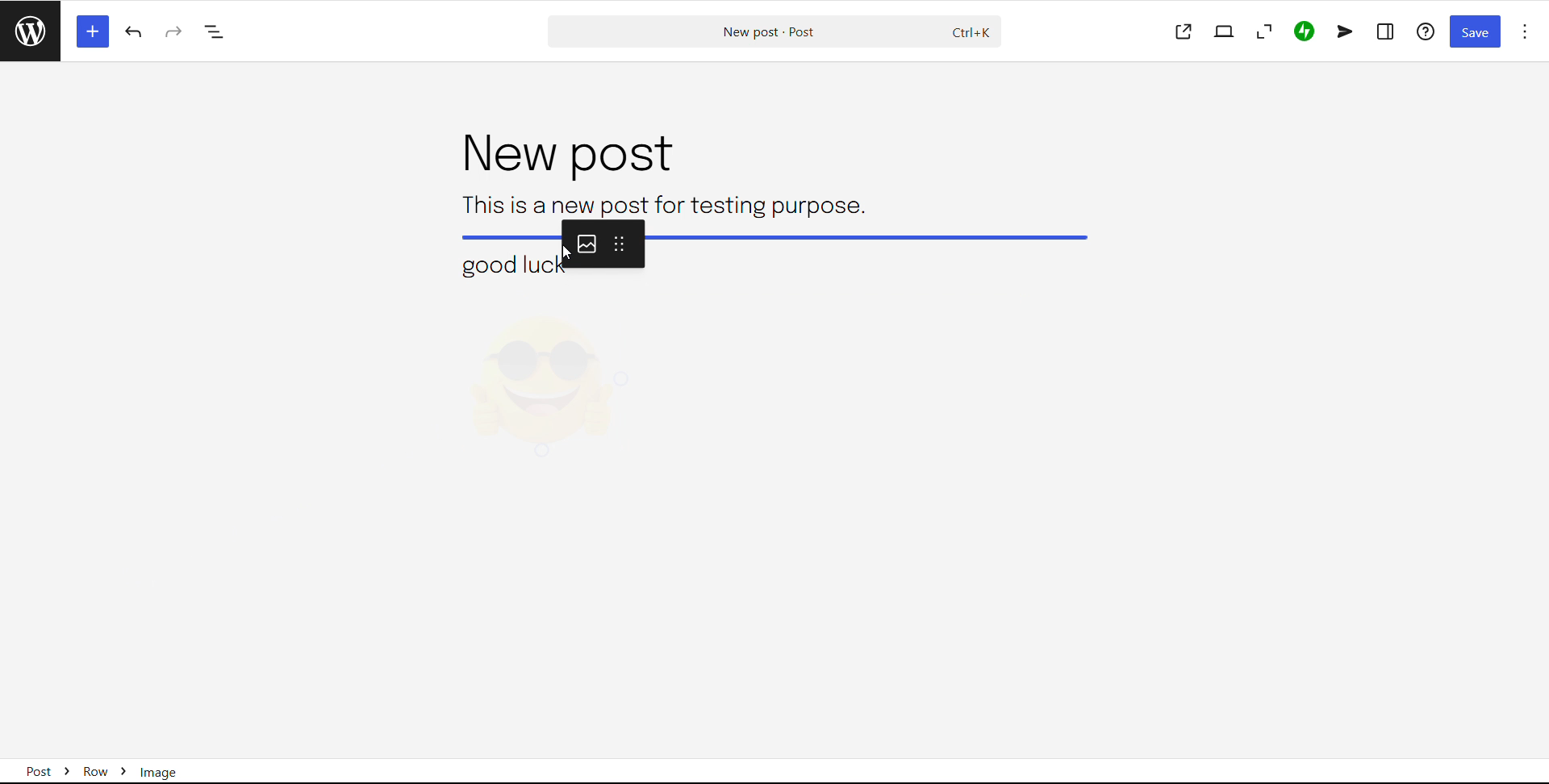 The height and width of the screenshot is (784, 1549). Describe the element at coordinates (136, 32) in the screenshot. I see `undo` at that location.